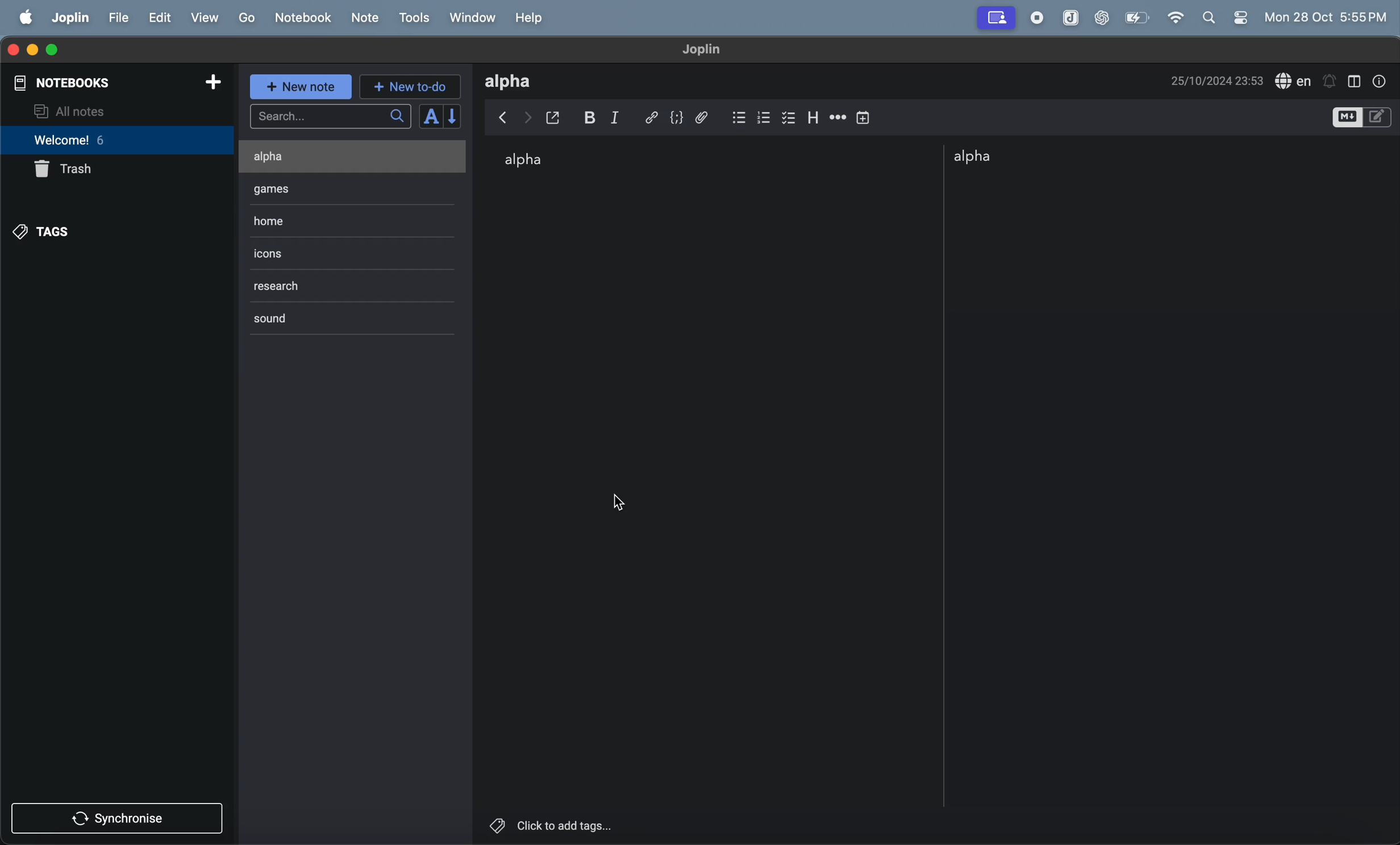  I want to click on toggle editor, so click(1362, 118).